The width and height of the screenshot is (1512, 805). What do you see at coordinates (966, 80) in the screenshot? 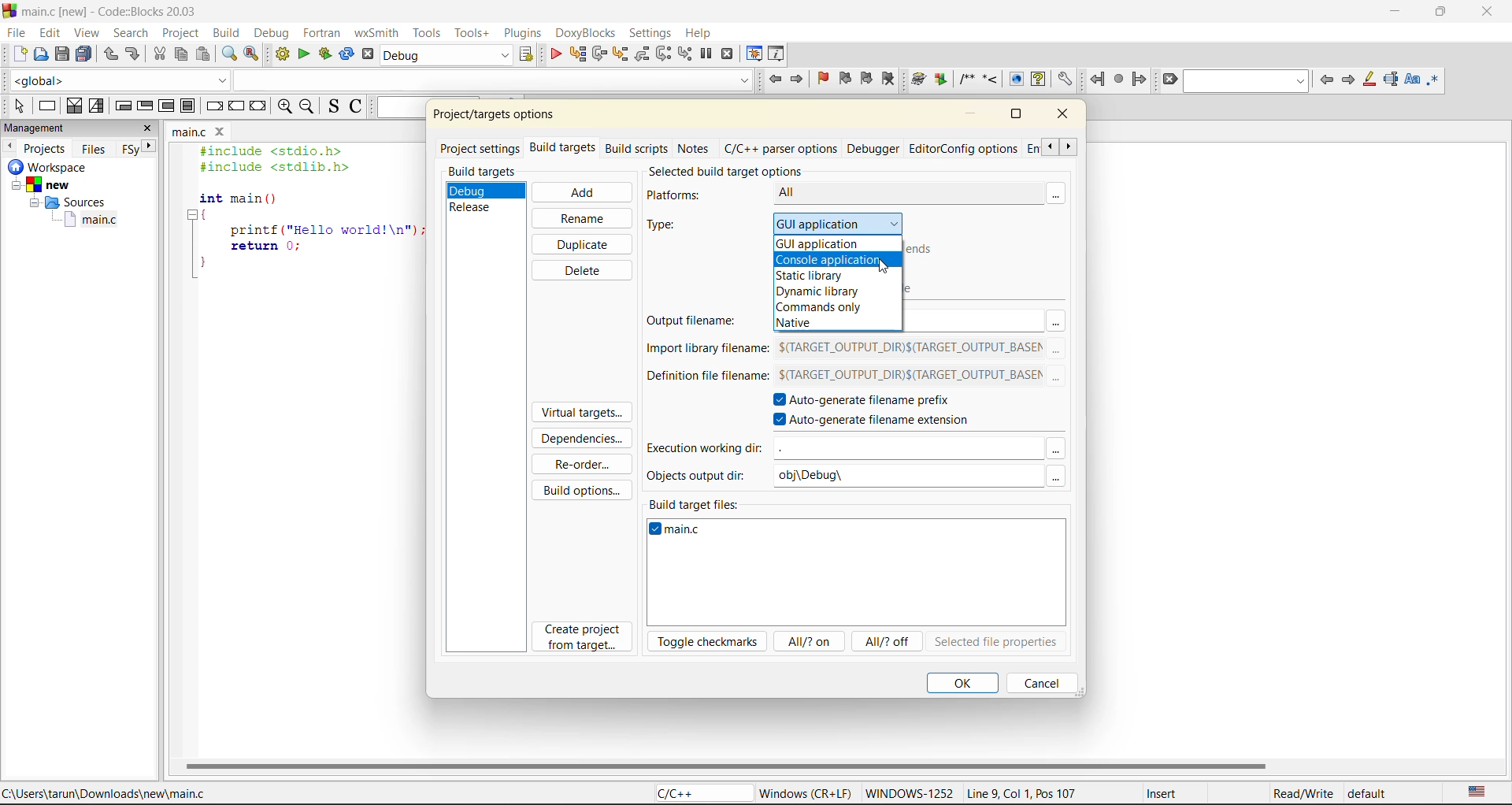
I see `Insert a comment block at the current line` at bounding box center [966, 80].